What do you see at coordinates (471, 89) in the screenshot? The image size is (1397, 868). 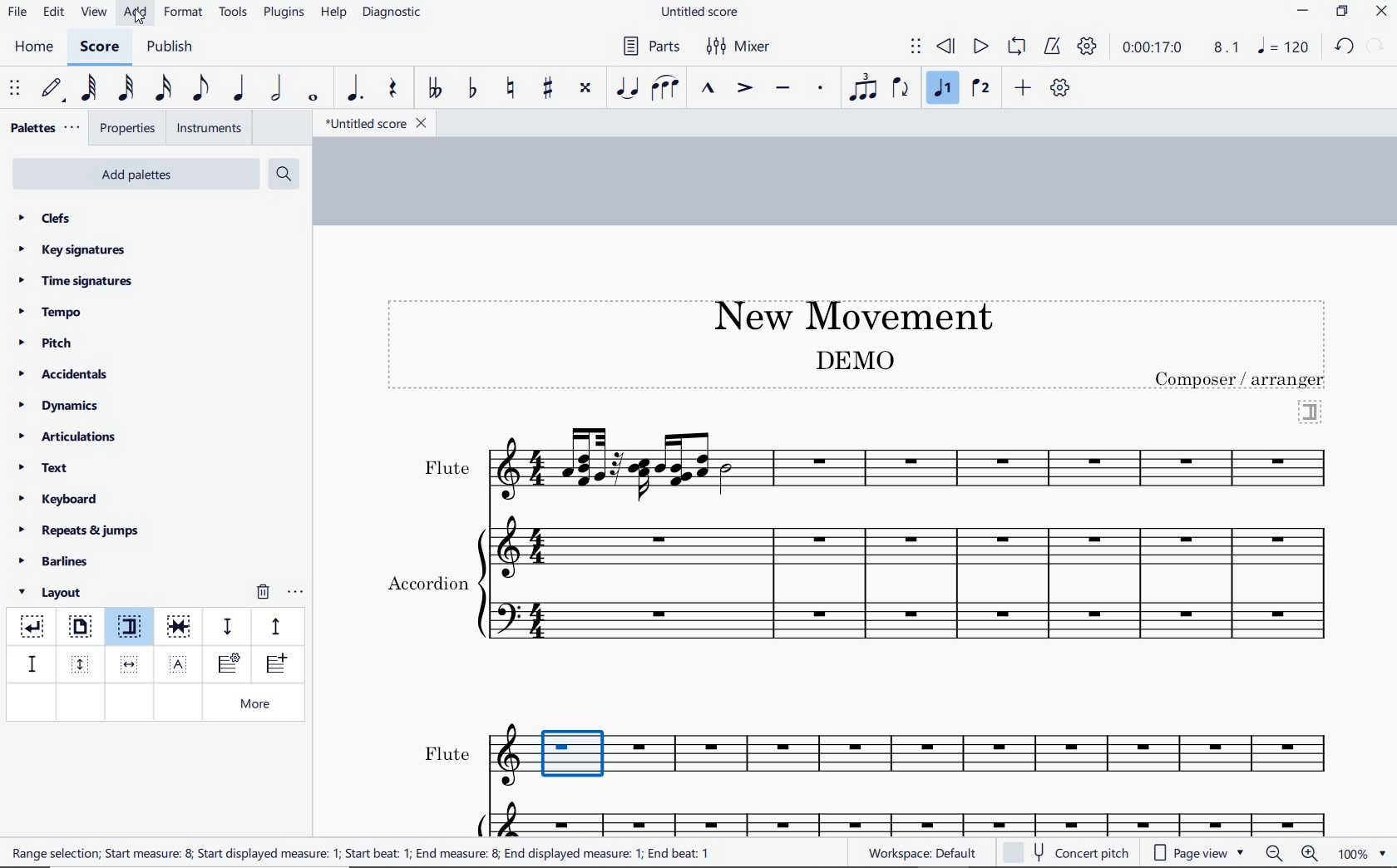 I see `toggle flat` at bounding box center [471, 89].